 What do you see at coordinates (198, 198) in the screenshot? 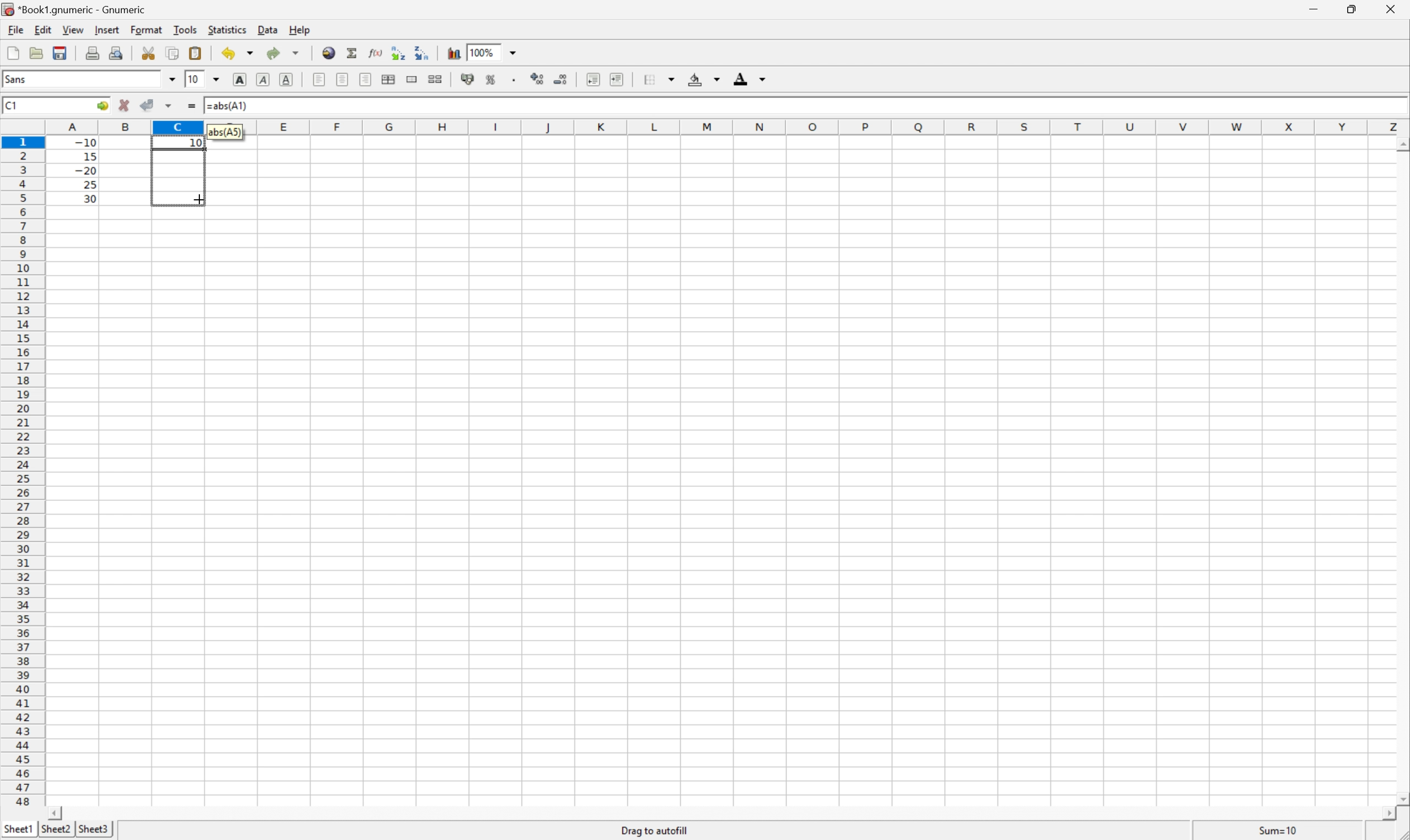
I see `Cursor` at bounding box center [198, 198].